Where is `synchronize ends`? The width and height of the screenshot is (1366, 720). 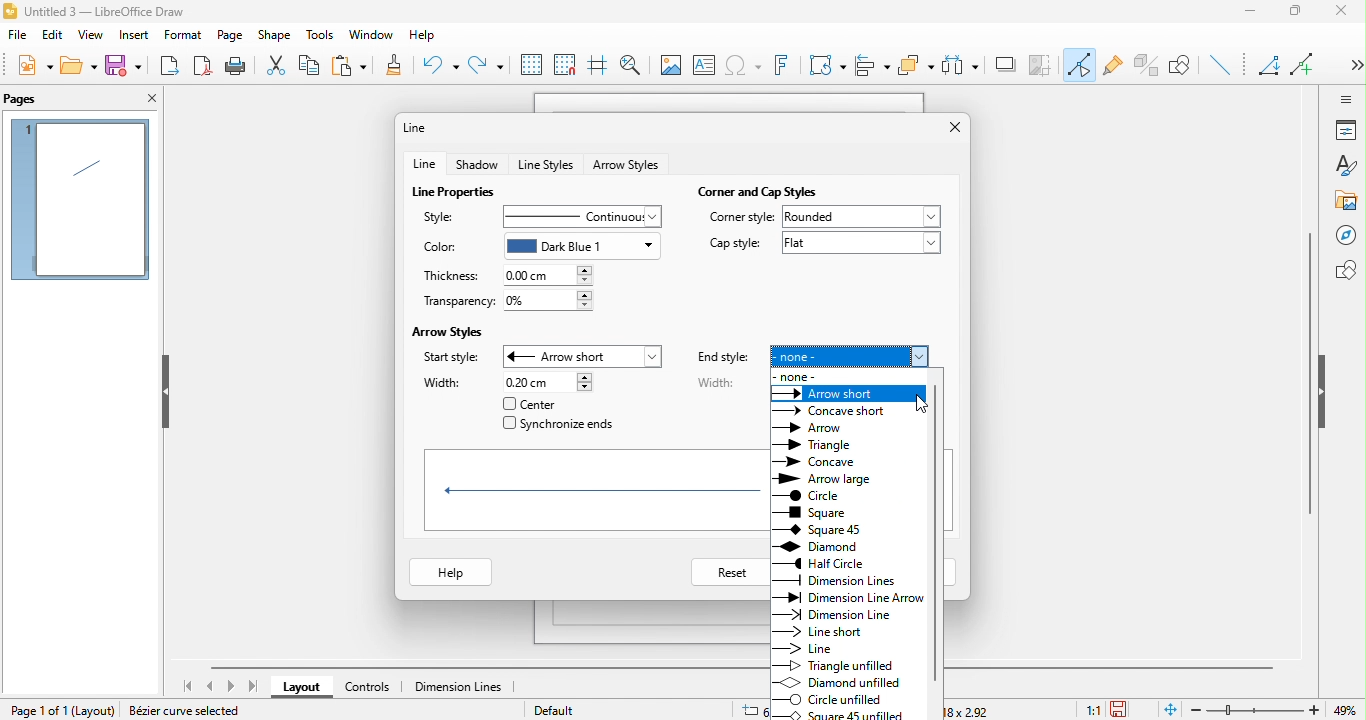
synchronize ends is located at coordinates (561, 426).